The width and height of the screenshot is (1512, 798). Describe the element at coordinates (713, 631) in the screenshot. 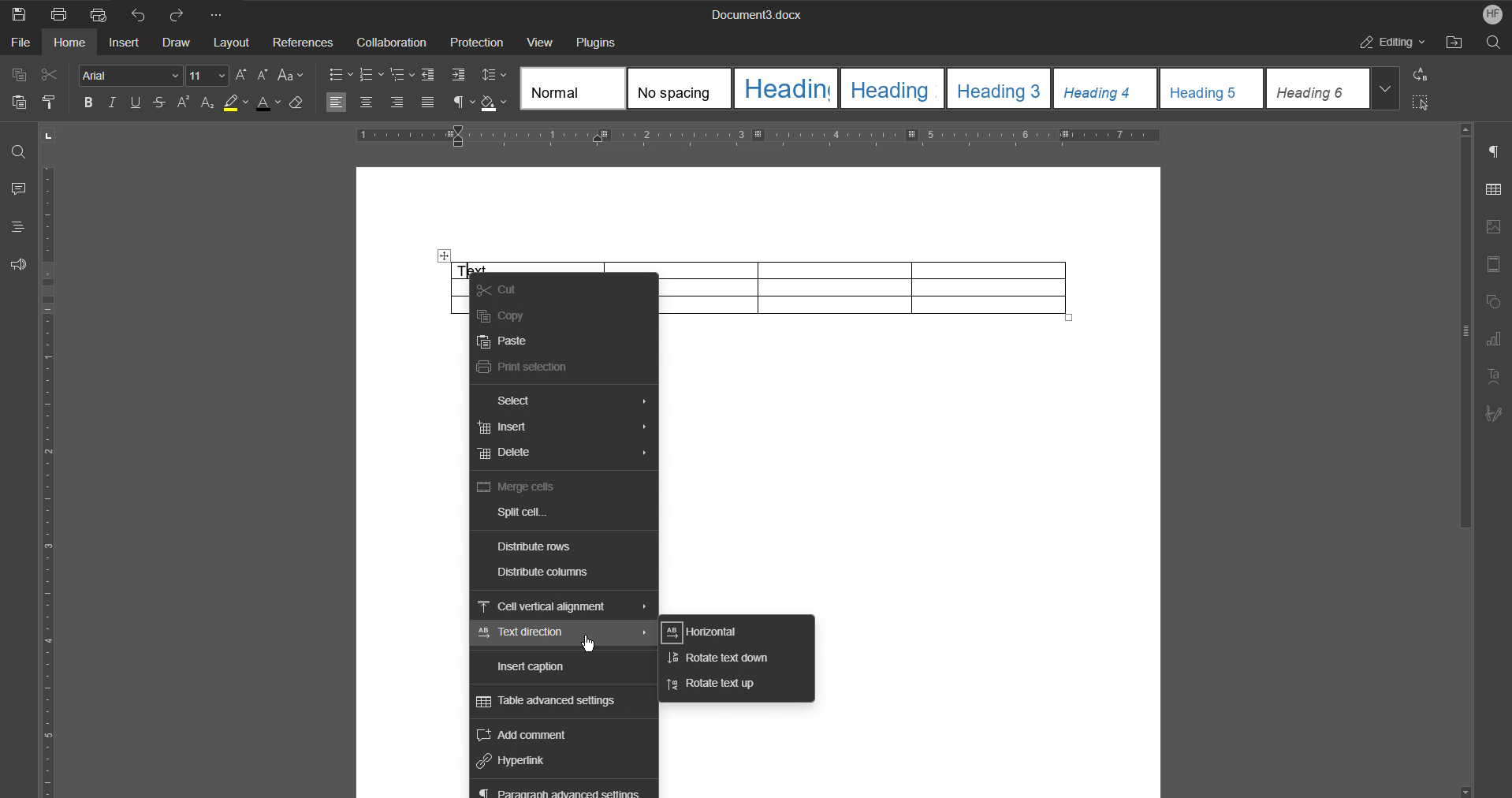

I see `Horizontal ` at that location.